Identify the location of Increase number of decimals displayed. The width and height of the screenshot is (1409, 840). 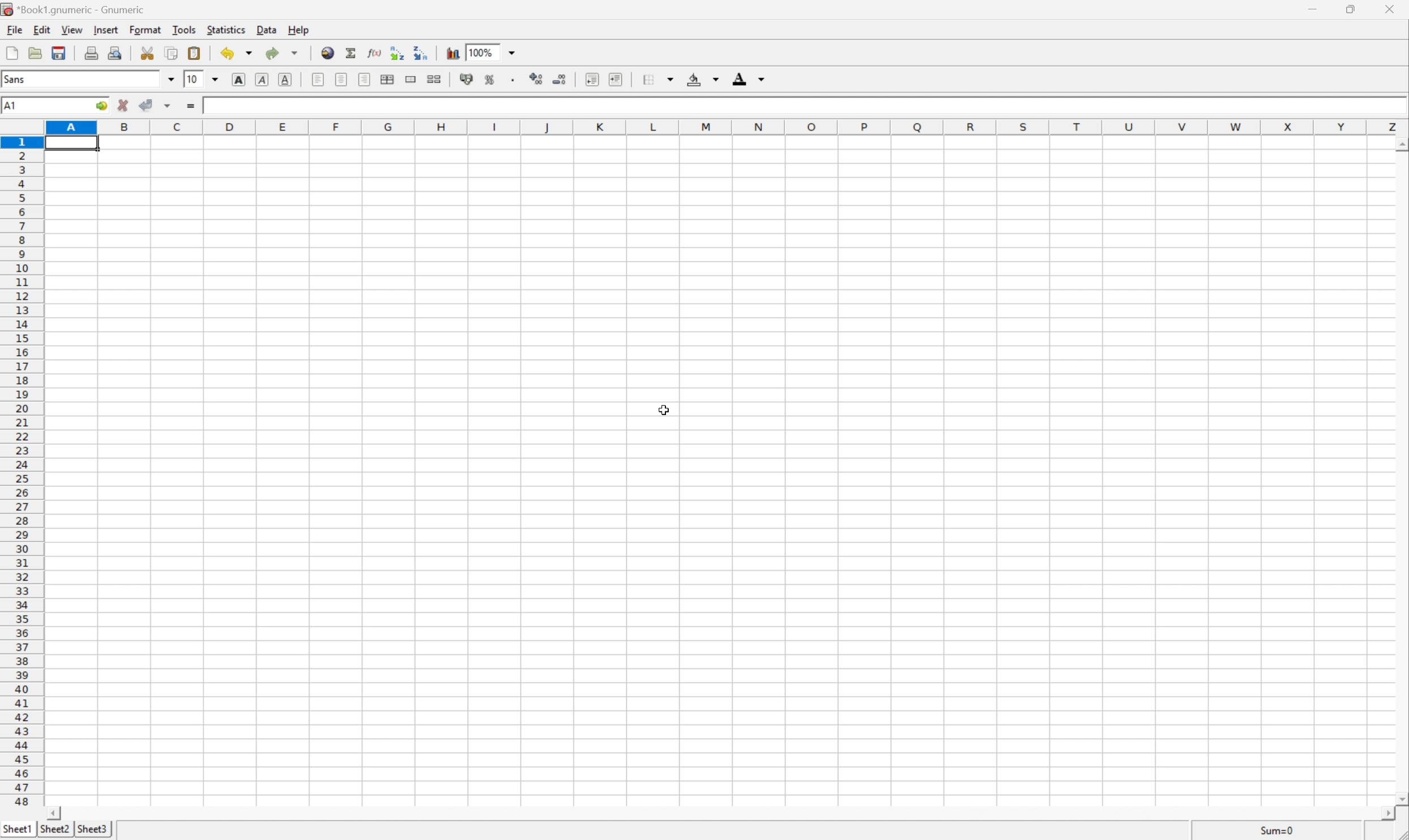
(537, 79).